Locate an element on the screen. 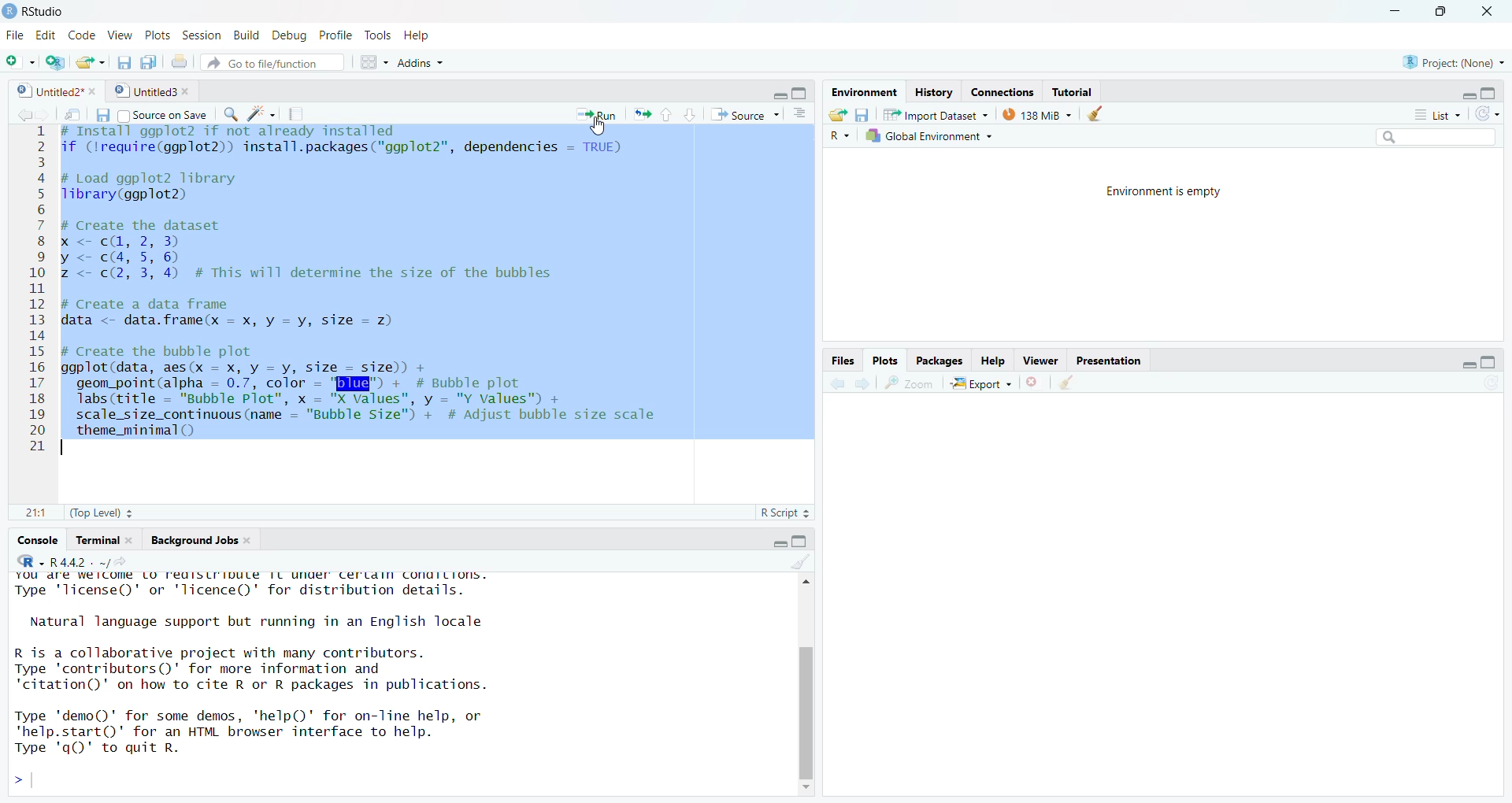 The width and height of the screenshot is (1512, 803). maximize is located at coordinates (1444, 16).